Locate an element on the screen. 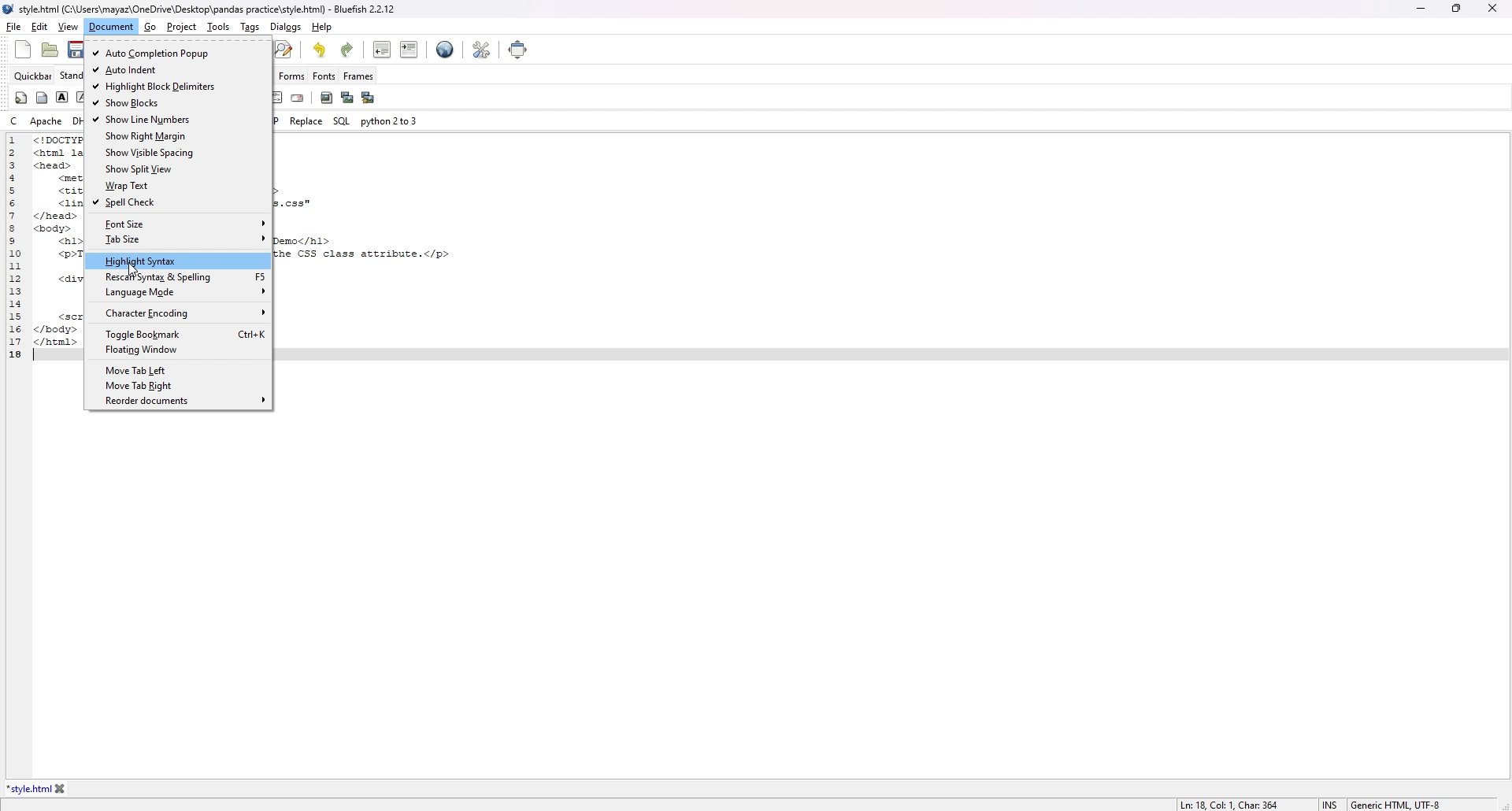  document is located at coordinates (110, 27).